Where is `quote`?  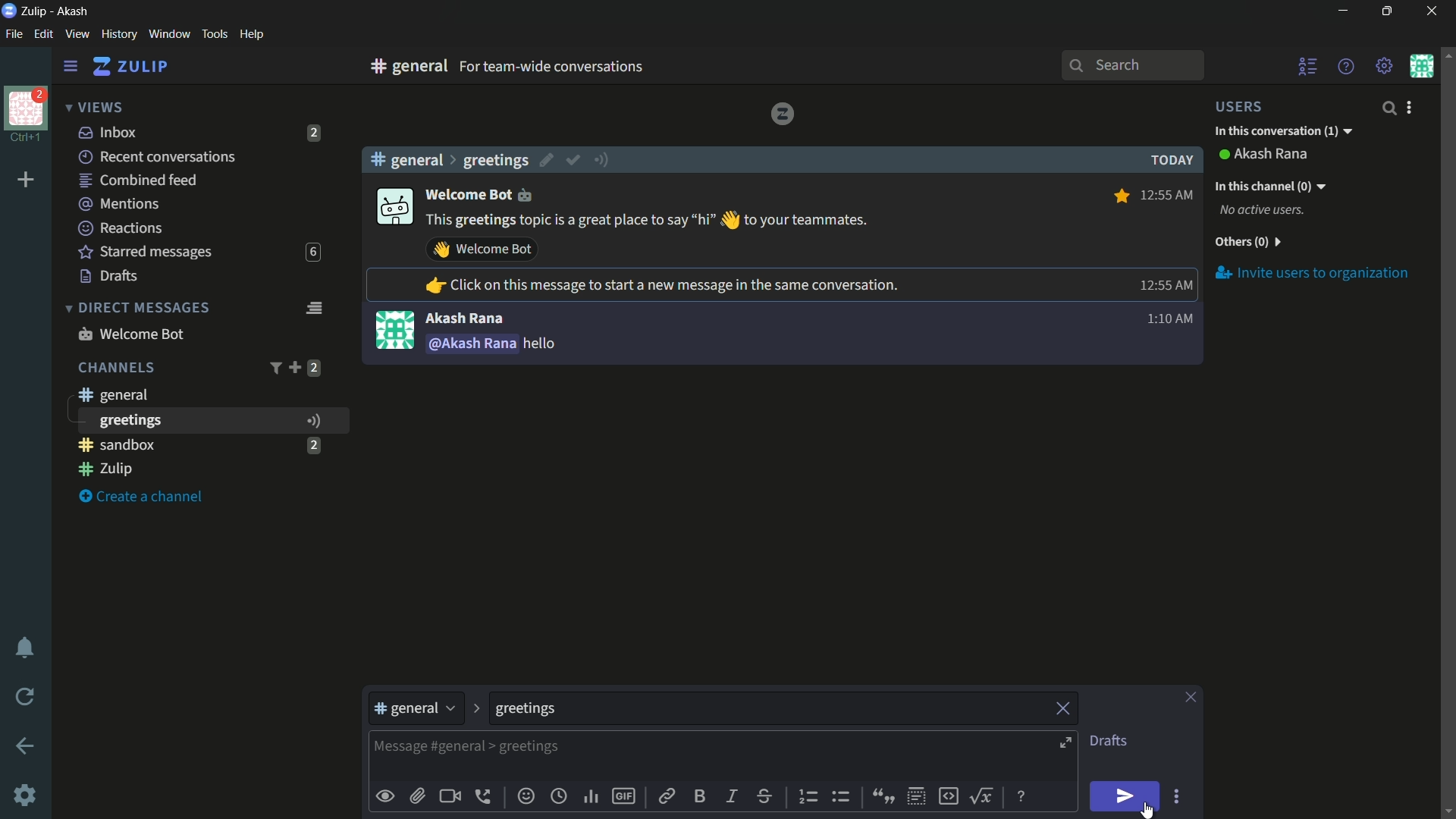 quote is located at coordinates (881, 795).